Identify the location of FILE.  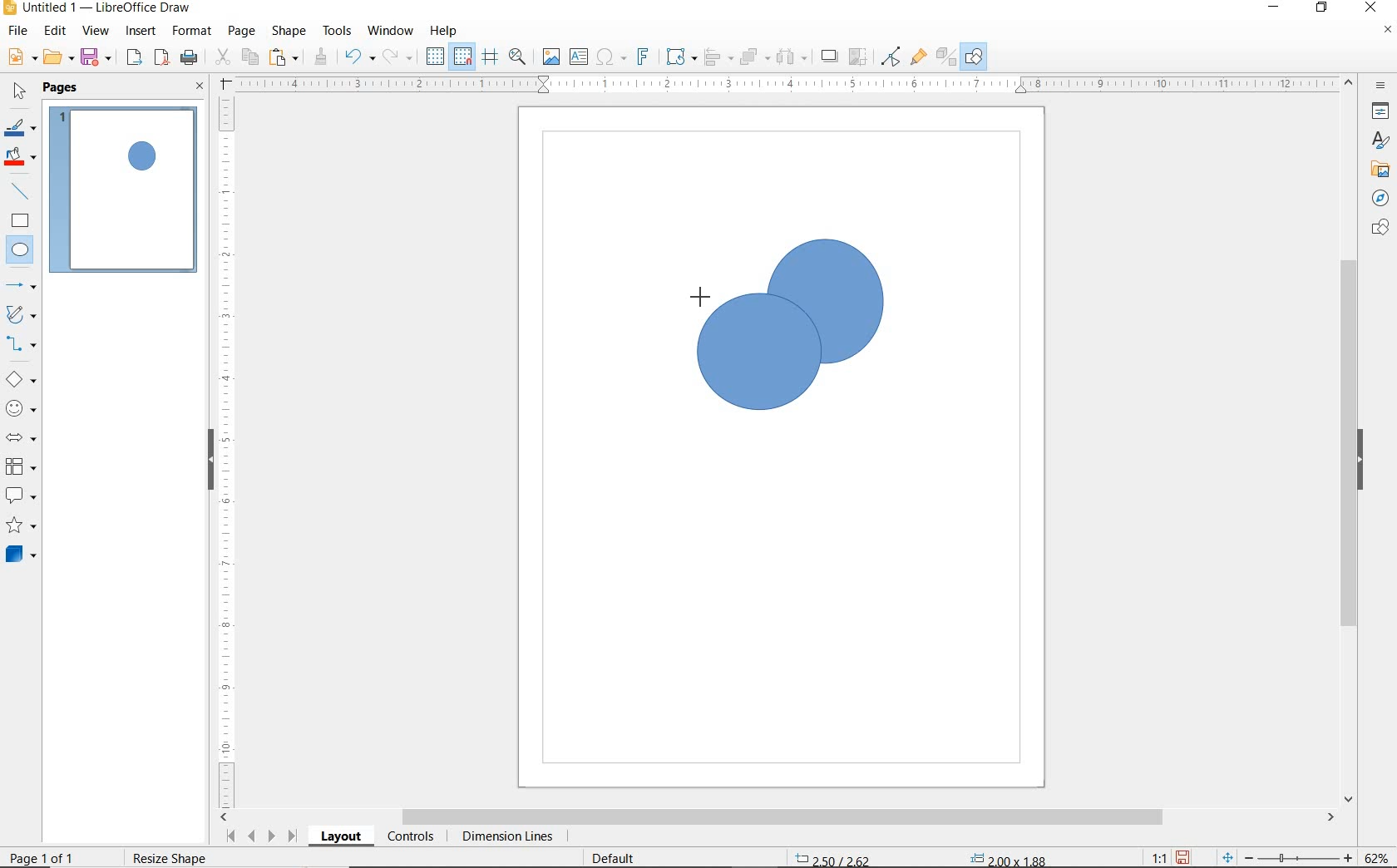
(19, 33).